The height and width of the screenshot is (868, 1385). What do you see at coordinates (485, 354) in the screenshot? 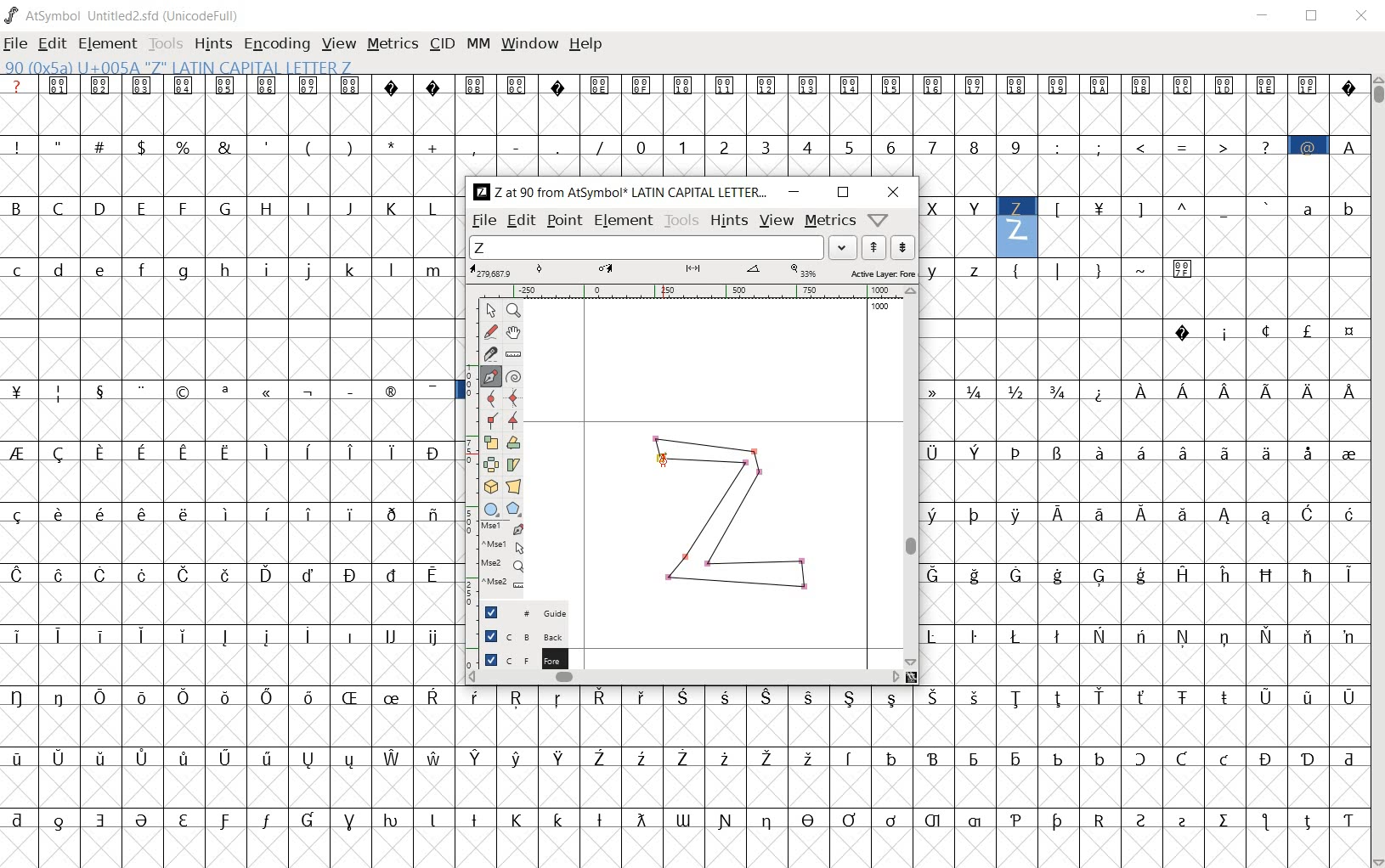
I see `cut splines in two` at bounding box center [485, 354].